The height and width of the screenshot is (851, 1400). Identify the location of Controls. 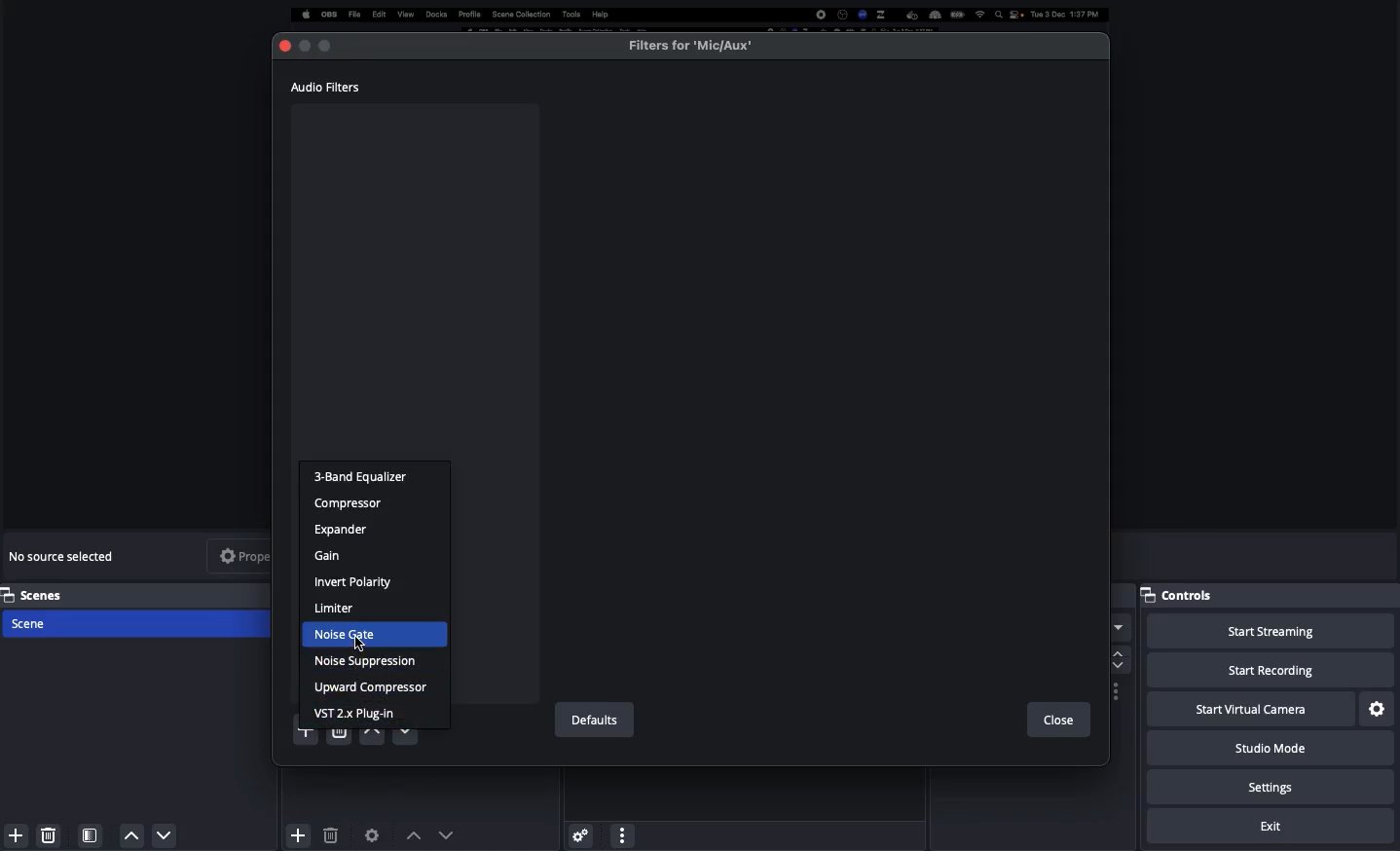
(1185, 595).